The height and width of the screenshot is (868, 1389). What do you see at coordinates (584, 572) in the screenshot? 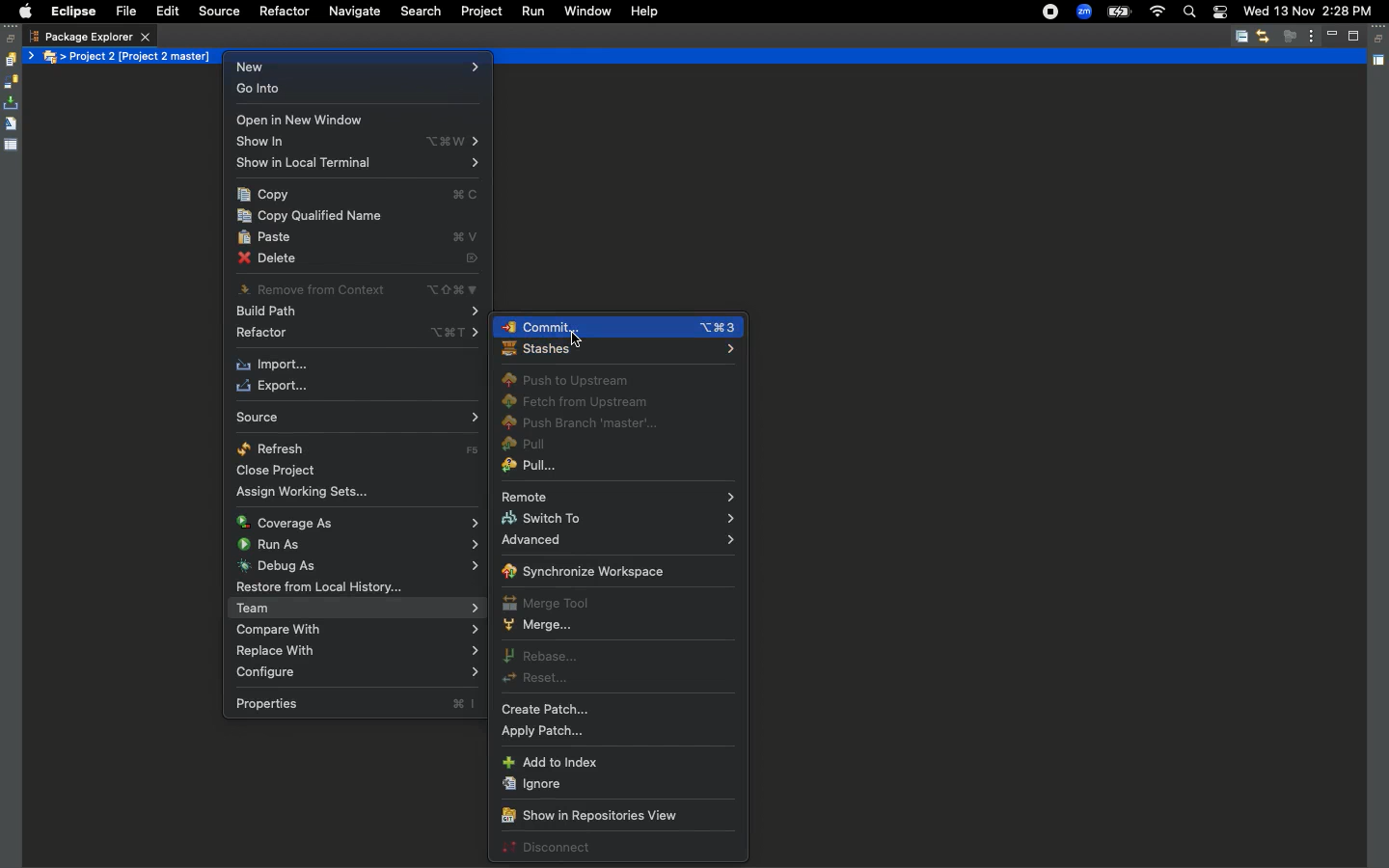
I see `Synchronize workspace` at bounding box center [584, 572].